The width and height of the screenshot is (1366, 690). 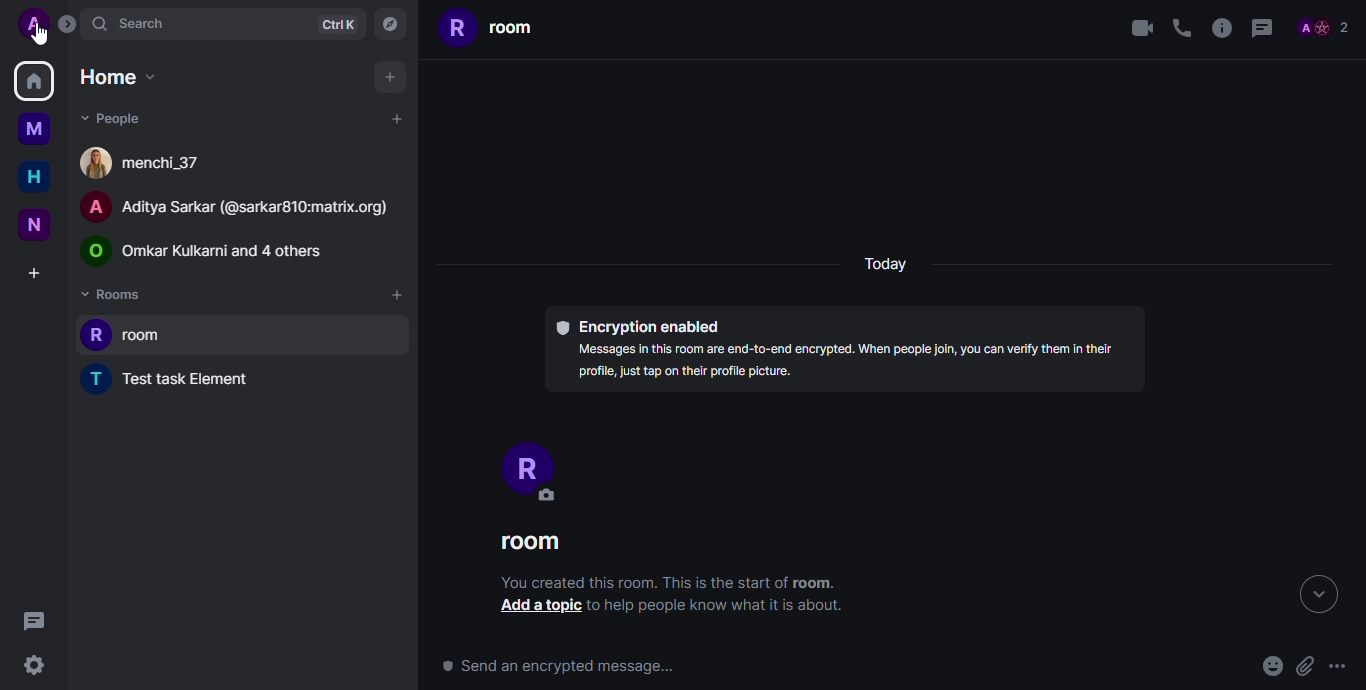 What do you see at coordinates (38, 128) in the screenshot?
I see `myspace` at bounding box center [38, 128].